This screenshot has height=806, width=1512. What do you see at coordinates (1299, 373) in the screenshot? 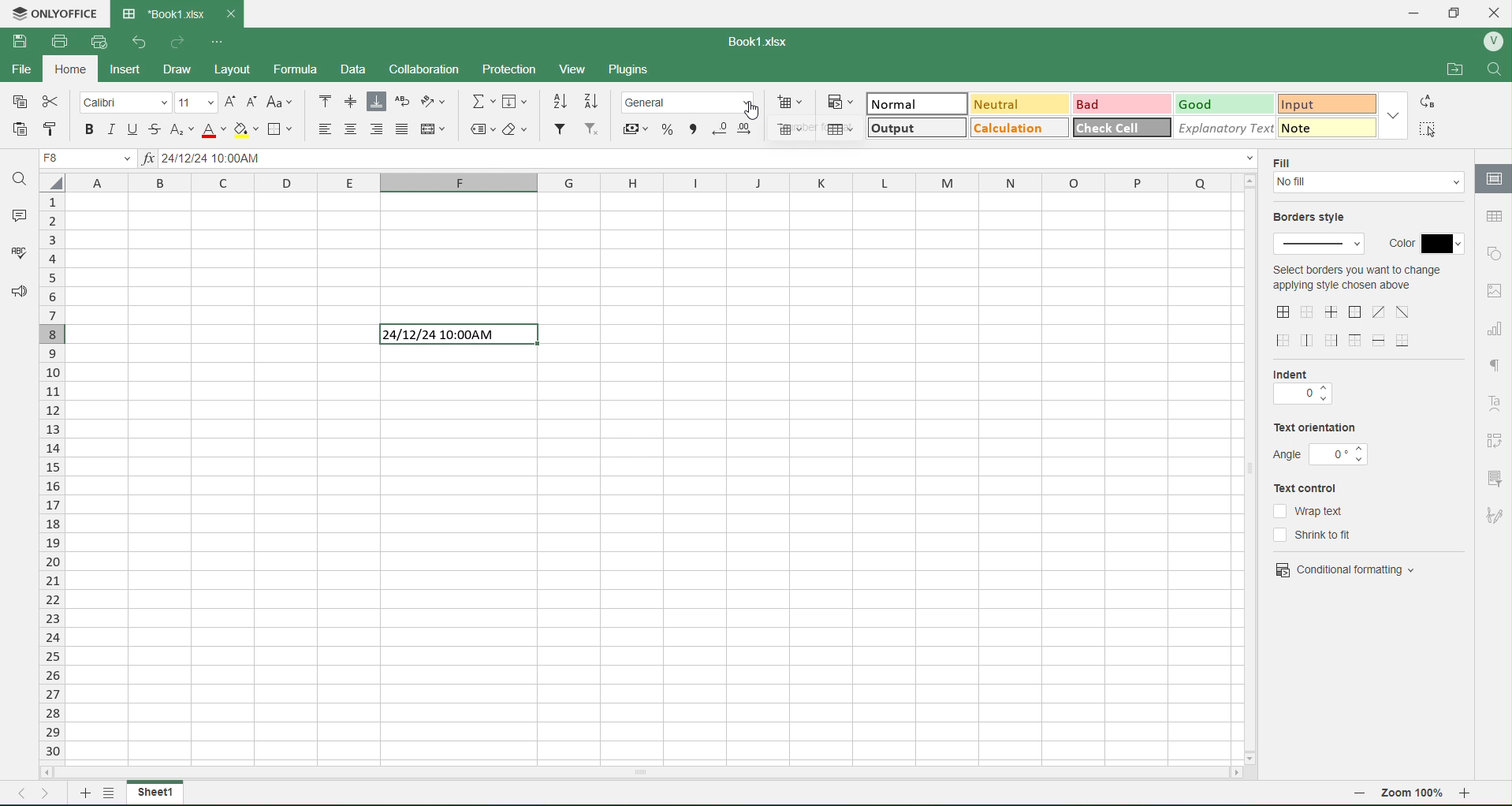
I see `indent` at bounding box center [1299, 373].